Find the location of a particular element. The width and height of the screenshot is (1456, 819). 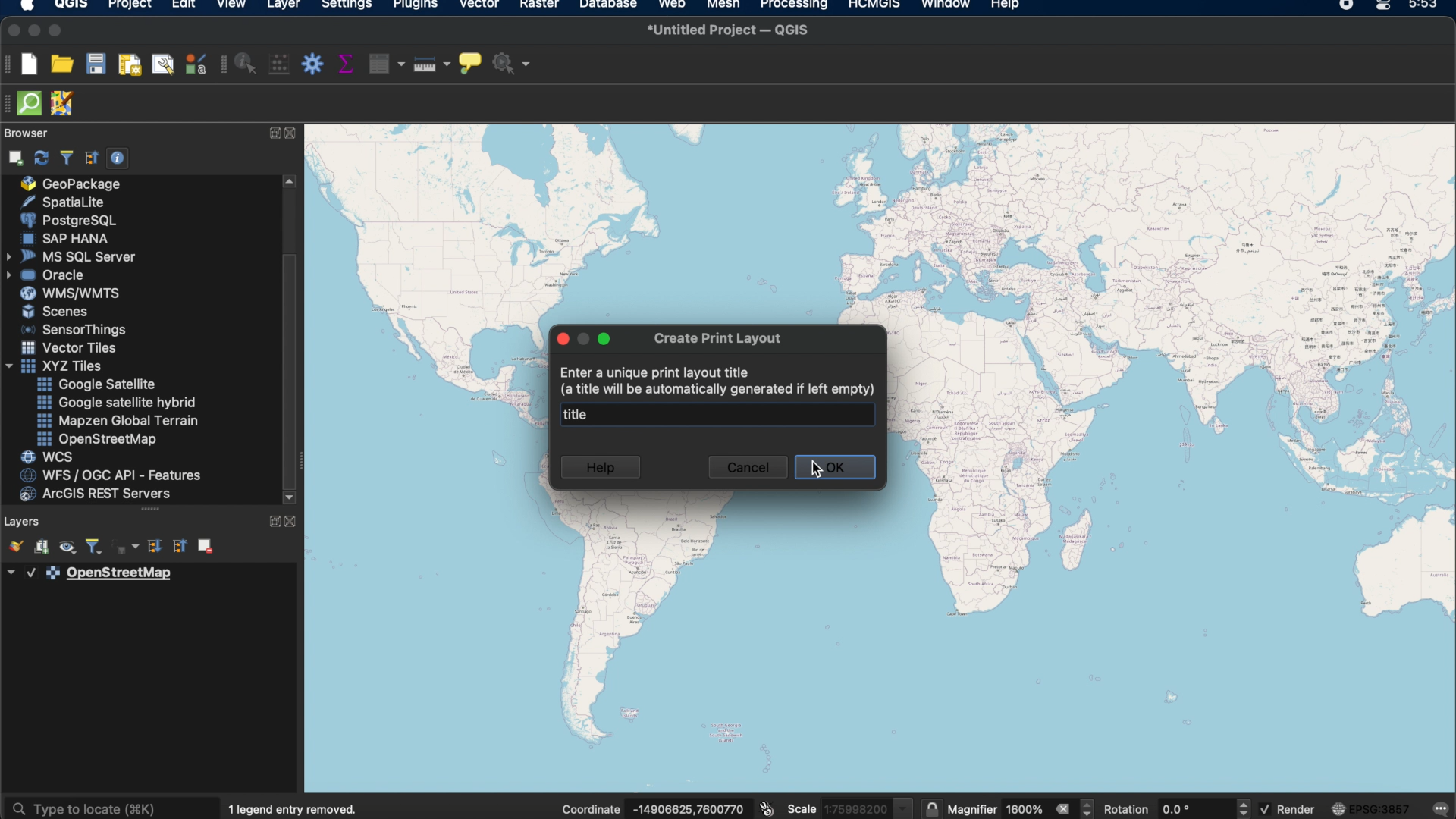

project toolbar is located at coordinates (9, 66).